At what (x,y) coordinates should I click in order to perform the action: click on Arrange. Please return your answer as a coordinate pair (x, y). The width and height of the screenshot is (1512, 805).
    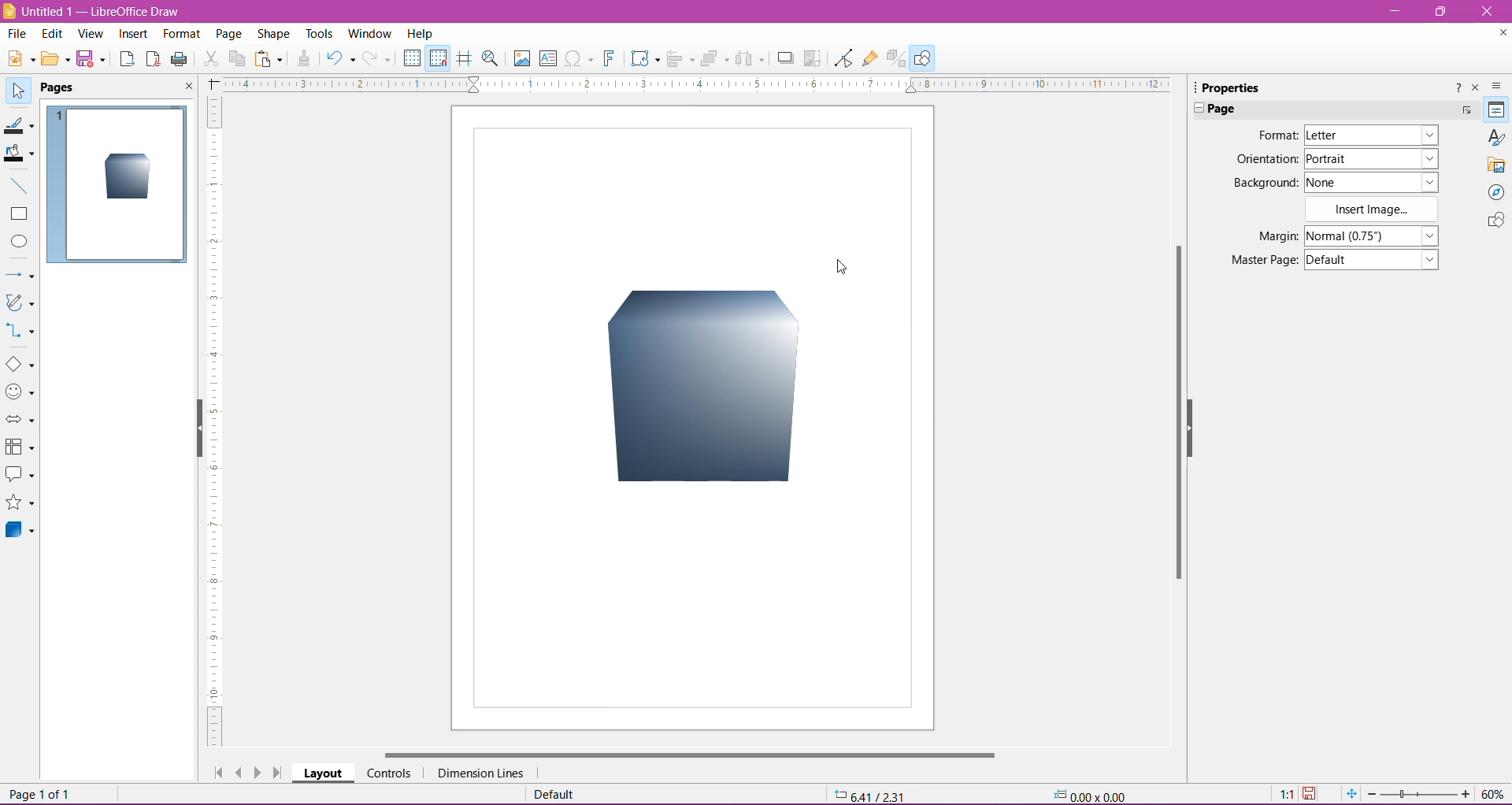
    Looking at the image, I should click on (714, 58).